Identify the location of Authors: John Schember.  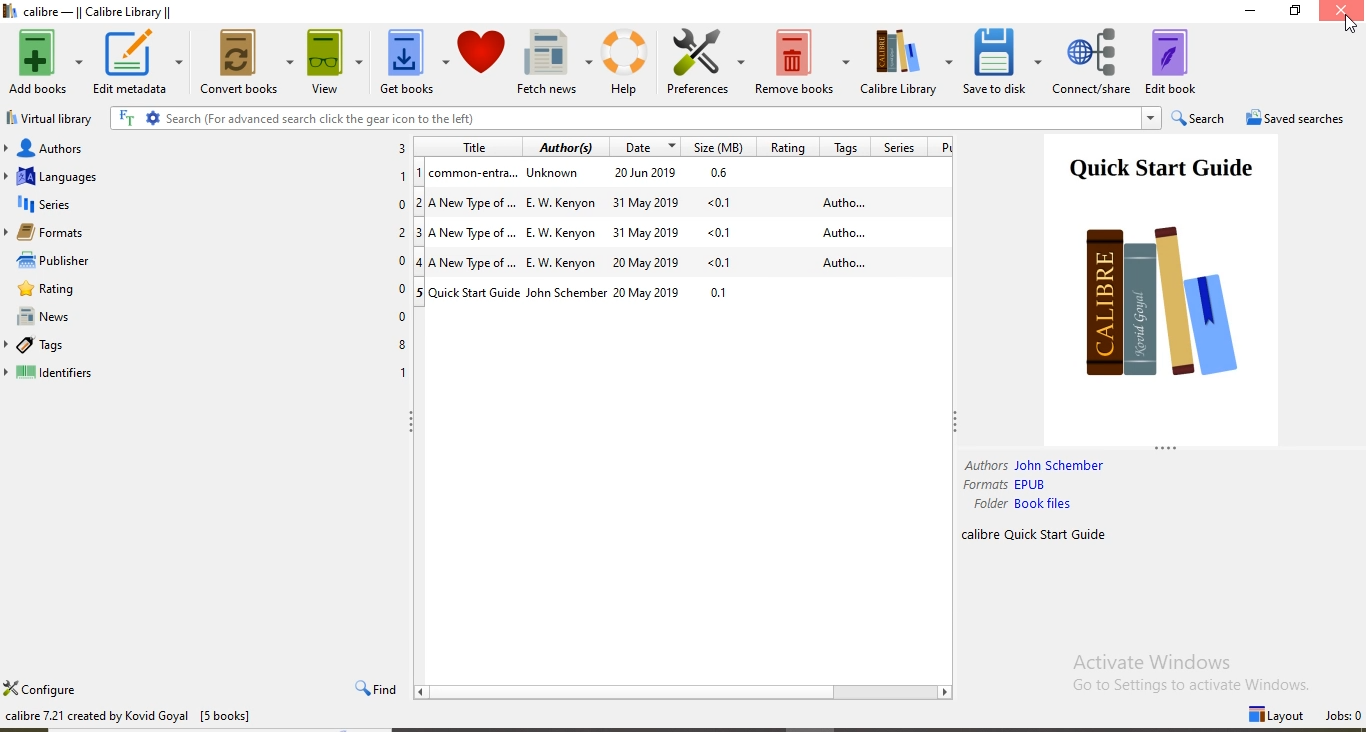
(1035, 466).